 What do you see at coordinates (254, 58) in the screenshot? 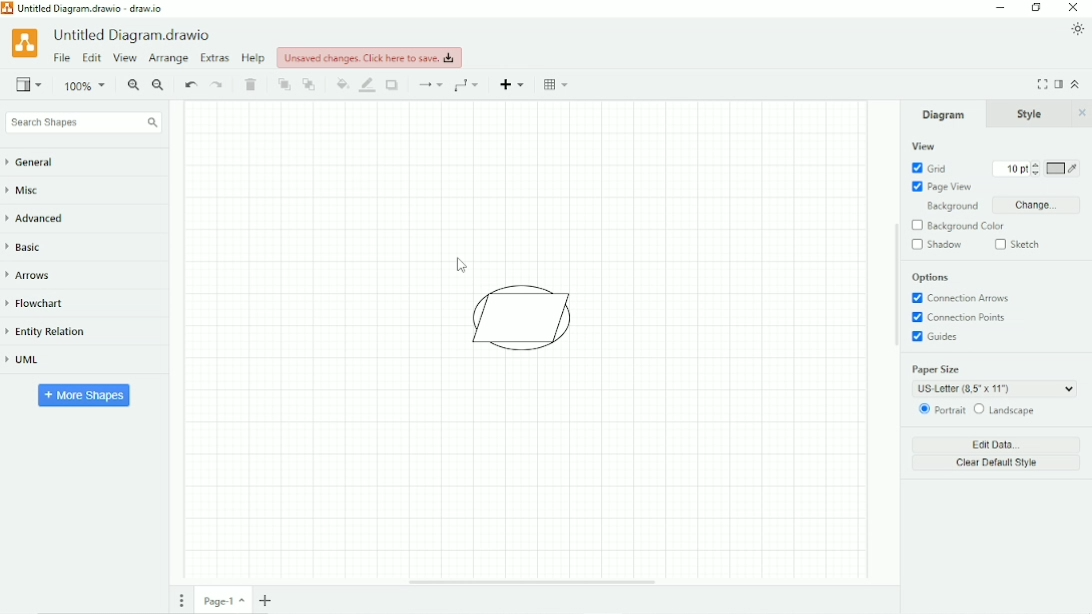
I see `Help` at bounding box center [254, 58].